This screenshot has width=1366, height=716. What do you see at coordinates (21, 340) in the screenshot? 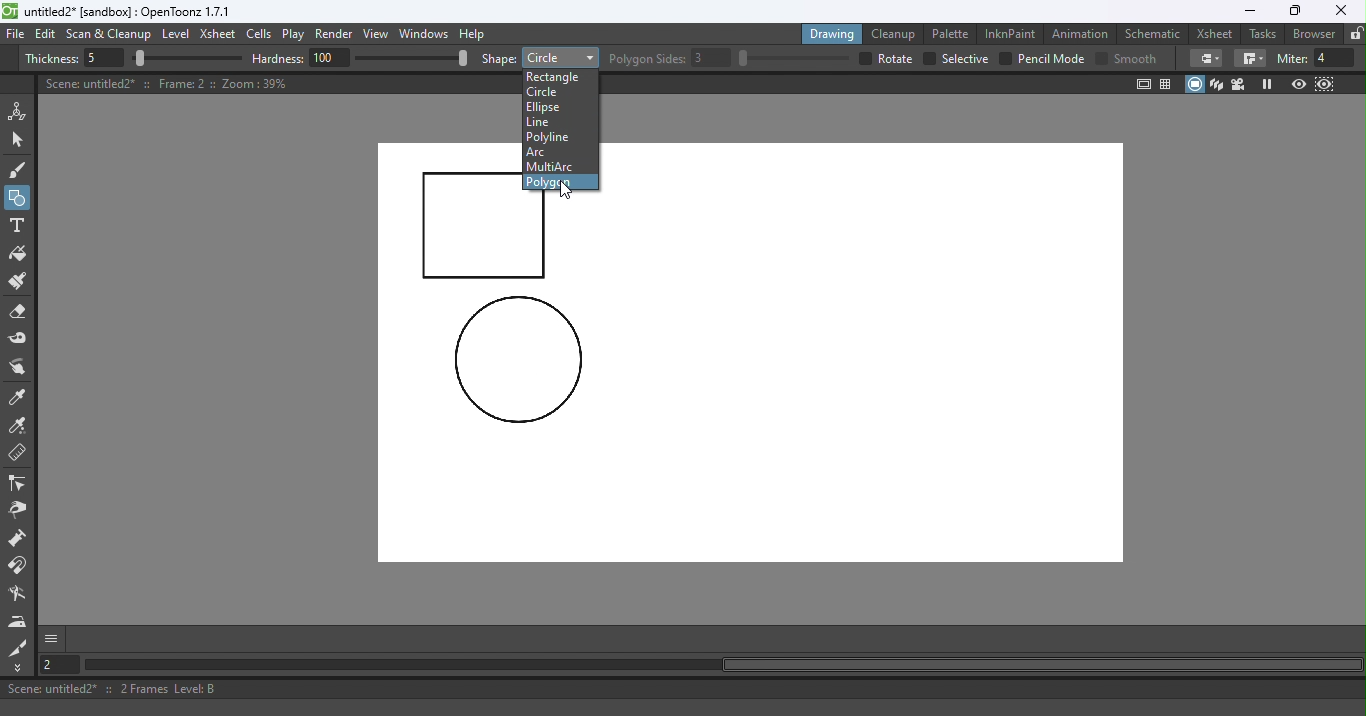
I see `Tape tool` at bounding box center [21, 340].